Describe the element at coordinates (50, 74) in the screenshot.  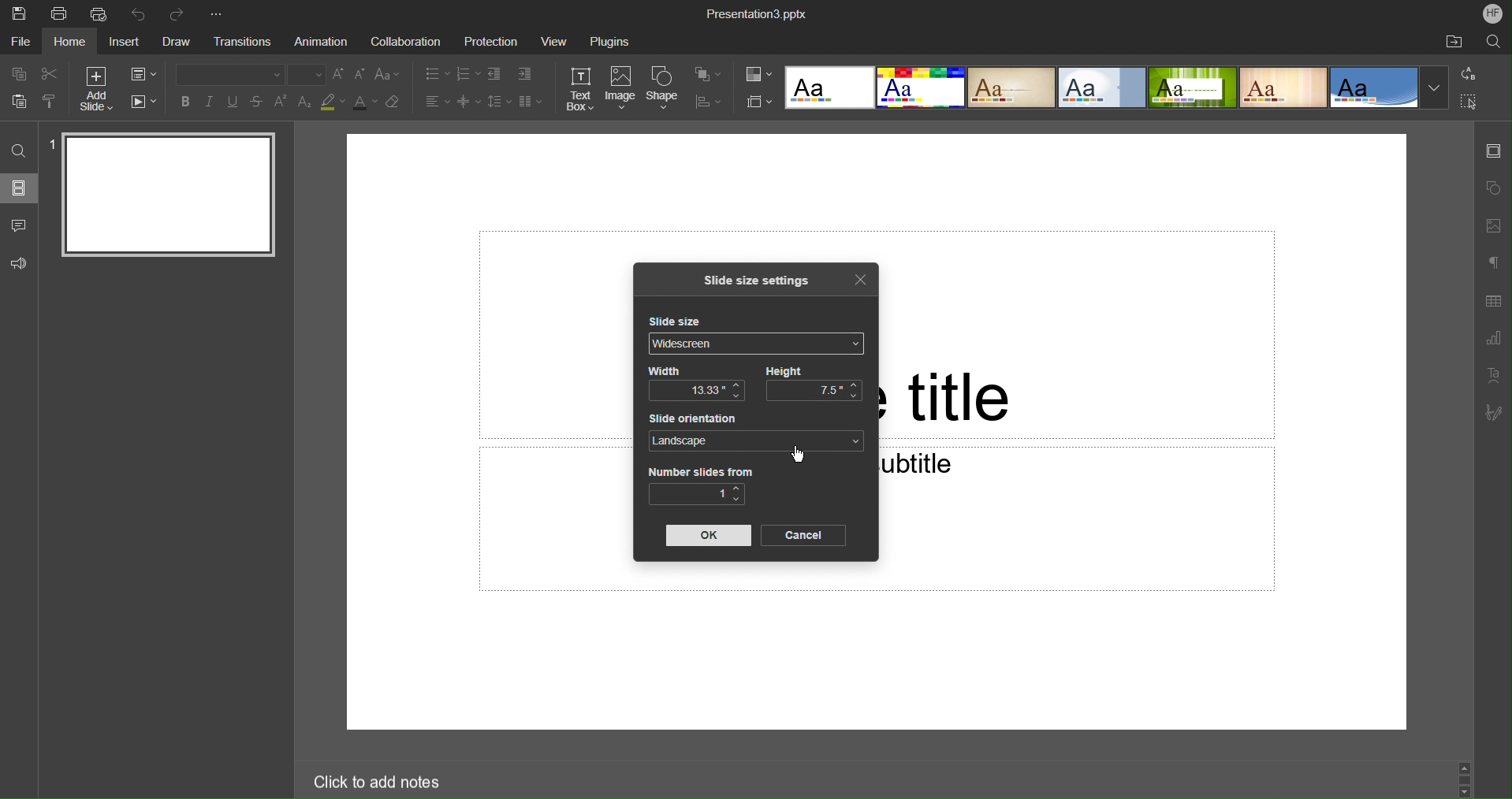
I see `Cut` at that location.